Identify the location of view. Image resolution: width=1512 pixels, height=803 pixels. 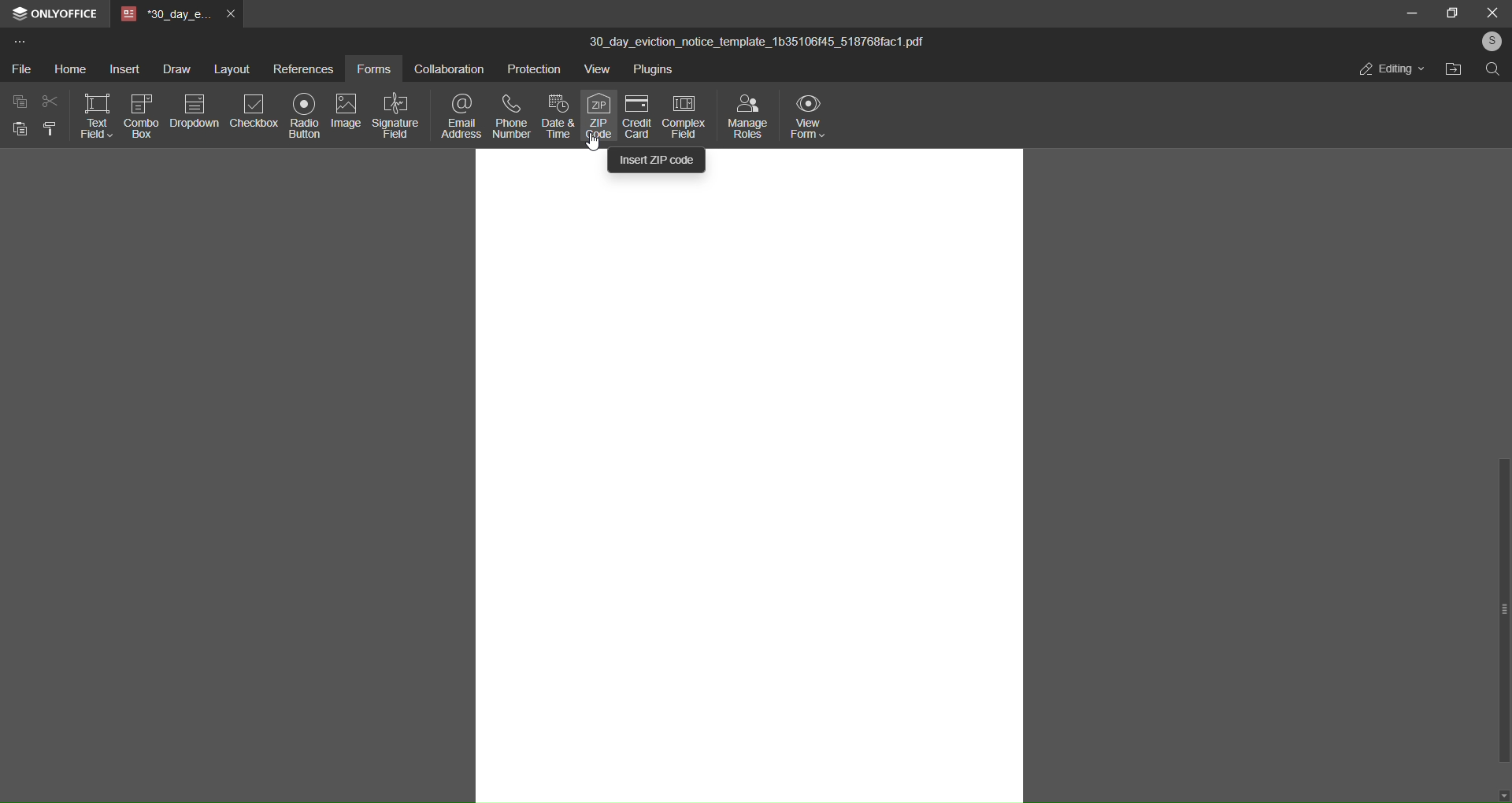
(598, 70).